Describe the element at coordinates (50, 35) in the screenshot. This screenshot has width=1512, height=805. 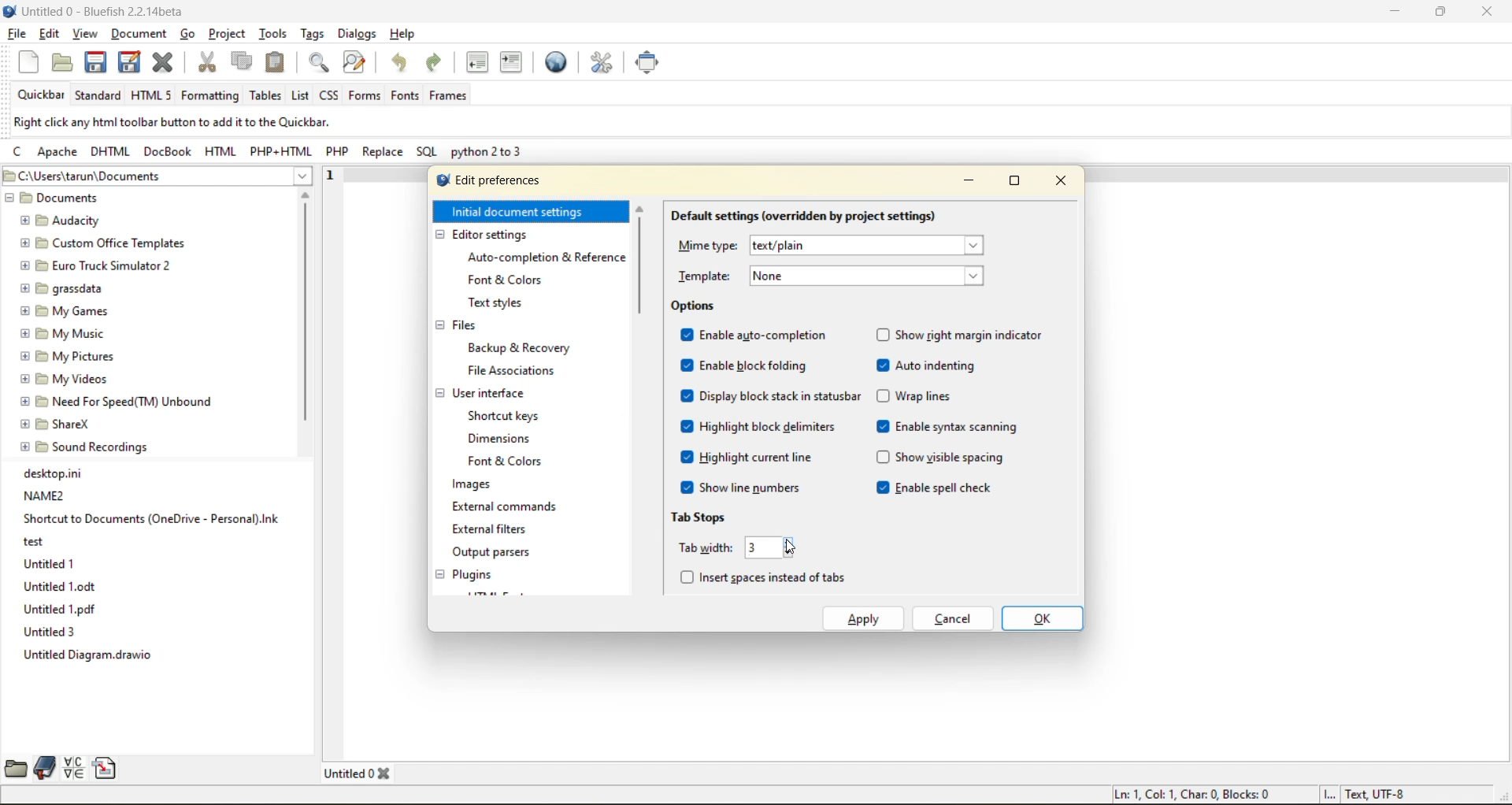
I see `edit` at that location.